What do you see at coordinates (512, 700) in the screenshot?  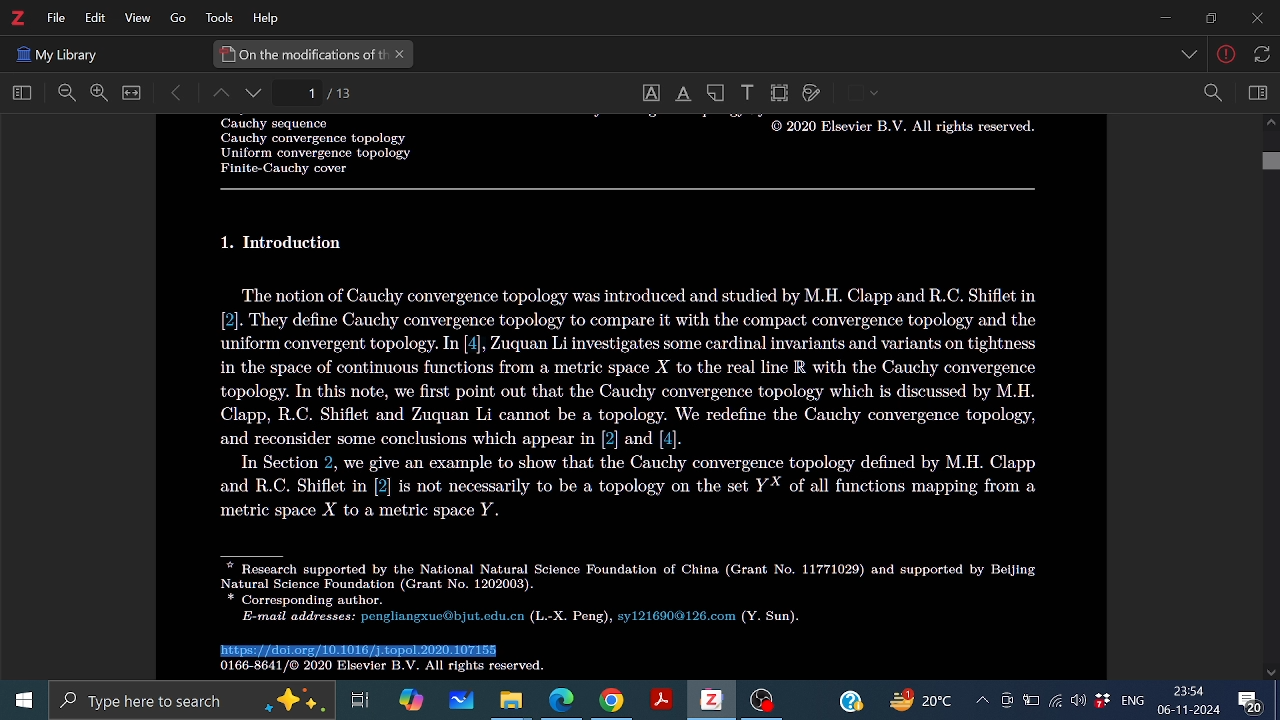 I see `Files` at bounding box center [512, 700].